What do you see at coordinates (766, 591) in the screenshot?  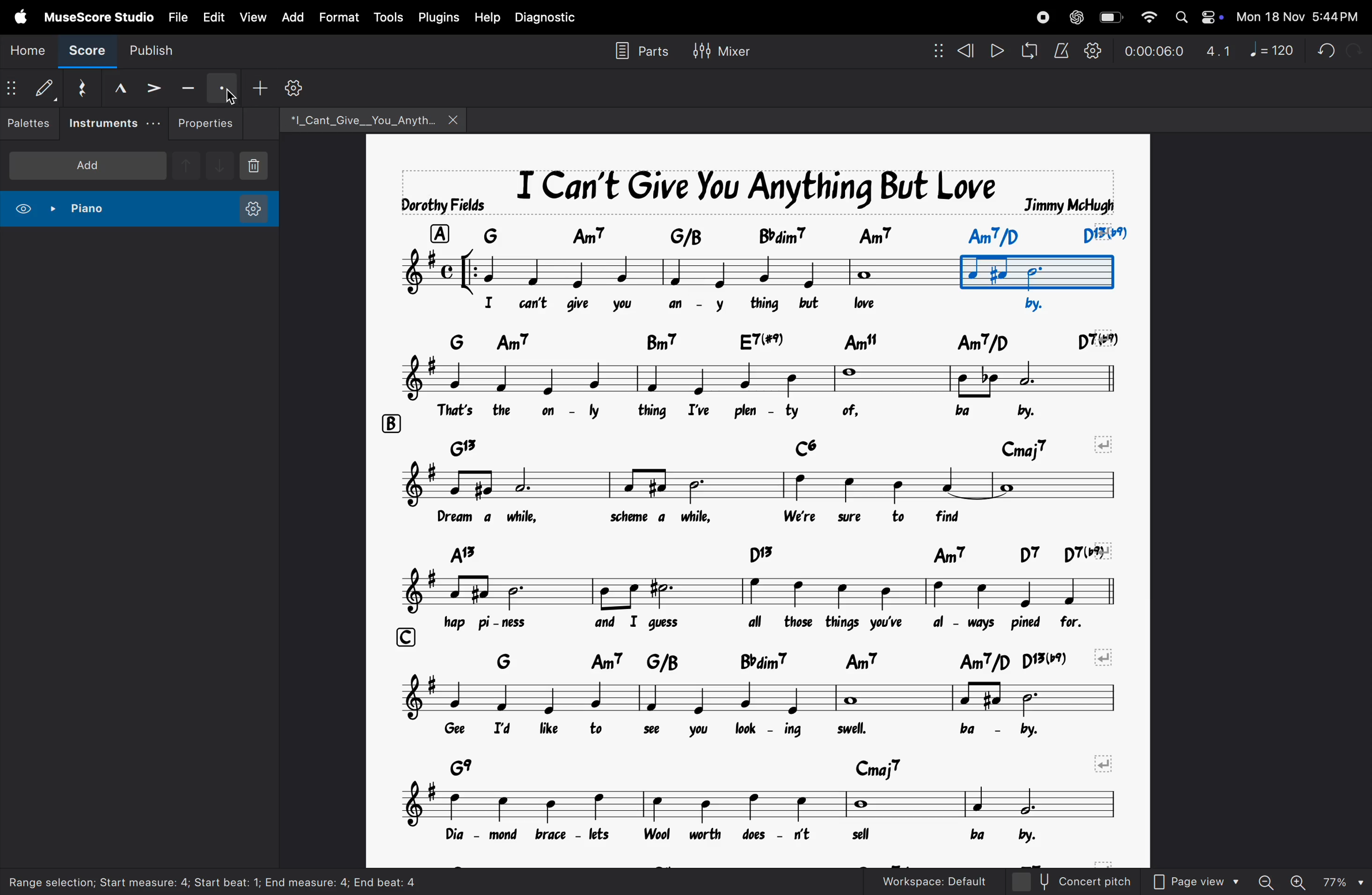 I see `notes` at bounding box center [766, 591].